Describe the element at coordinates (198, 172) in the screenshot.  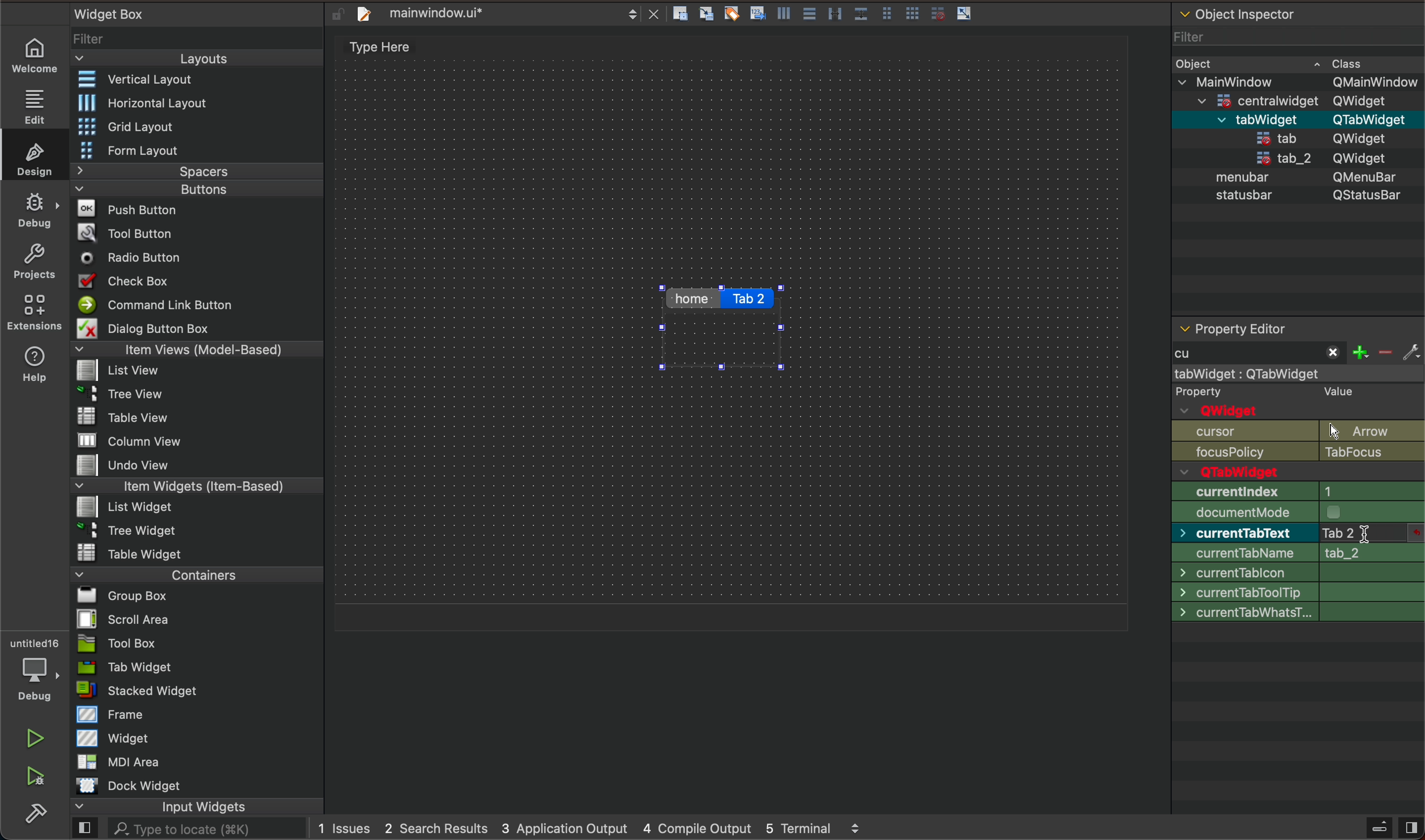
I see `Spacers` at that location.